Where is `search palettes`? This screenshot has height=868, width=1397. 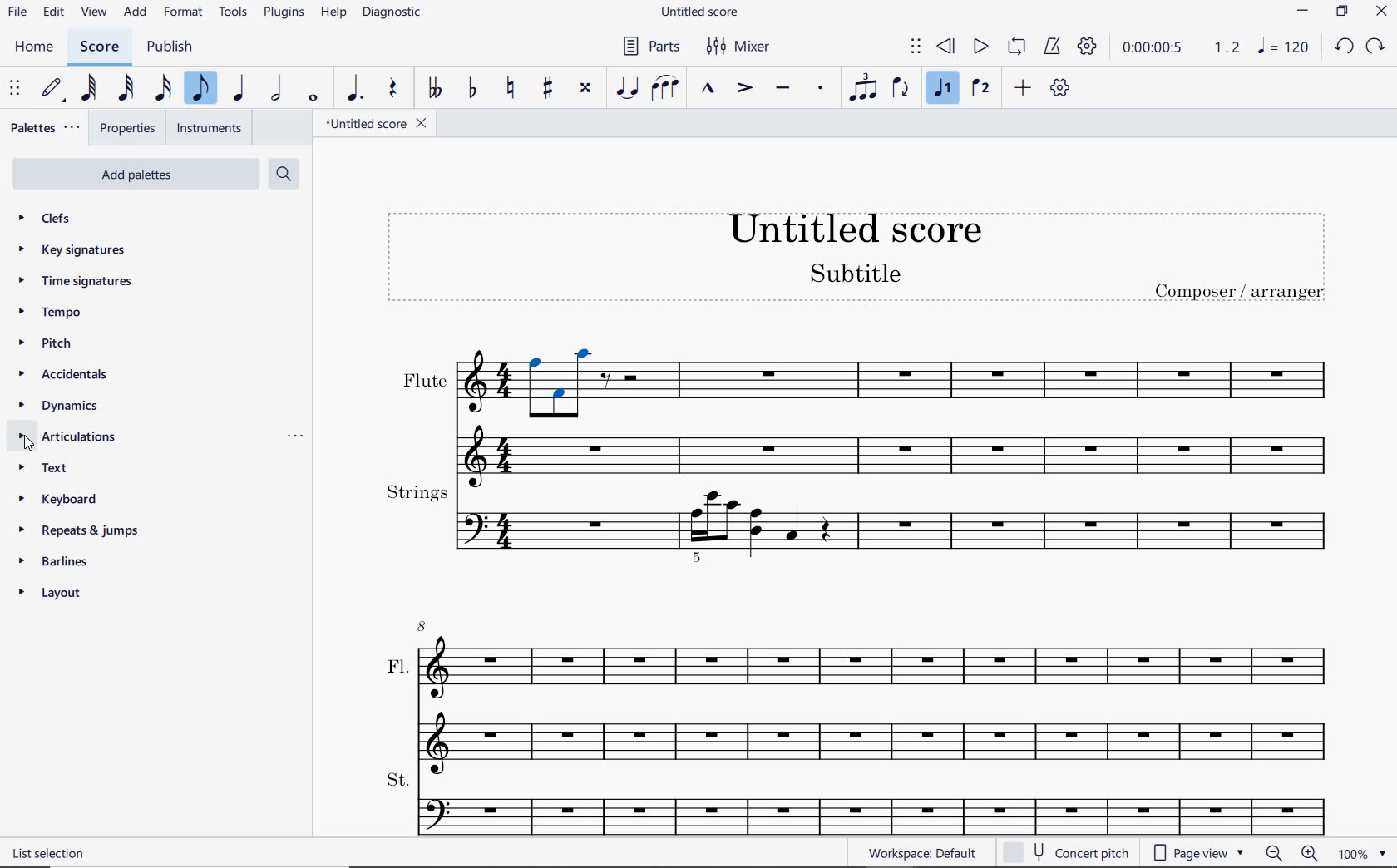 search palettes is located at coordinates (284, 173).